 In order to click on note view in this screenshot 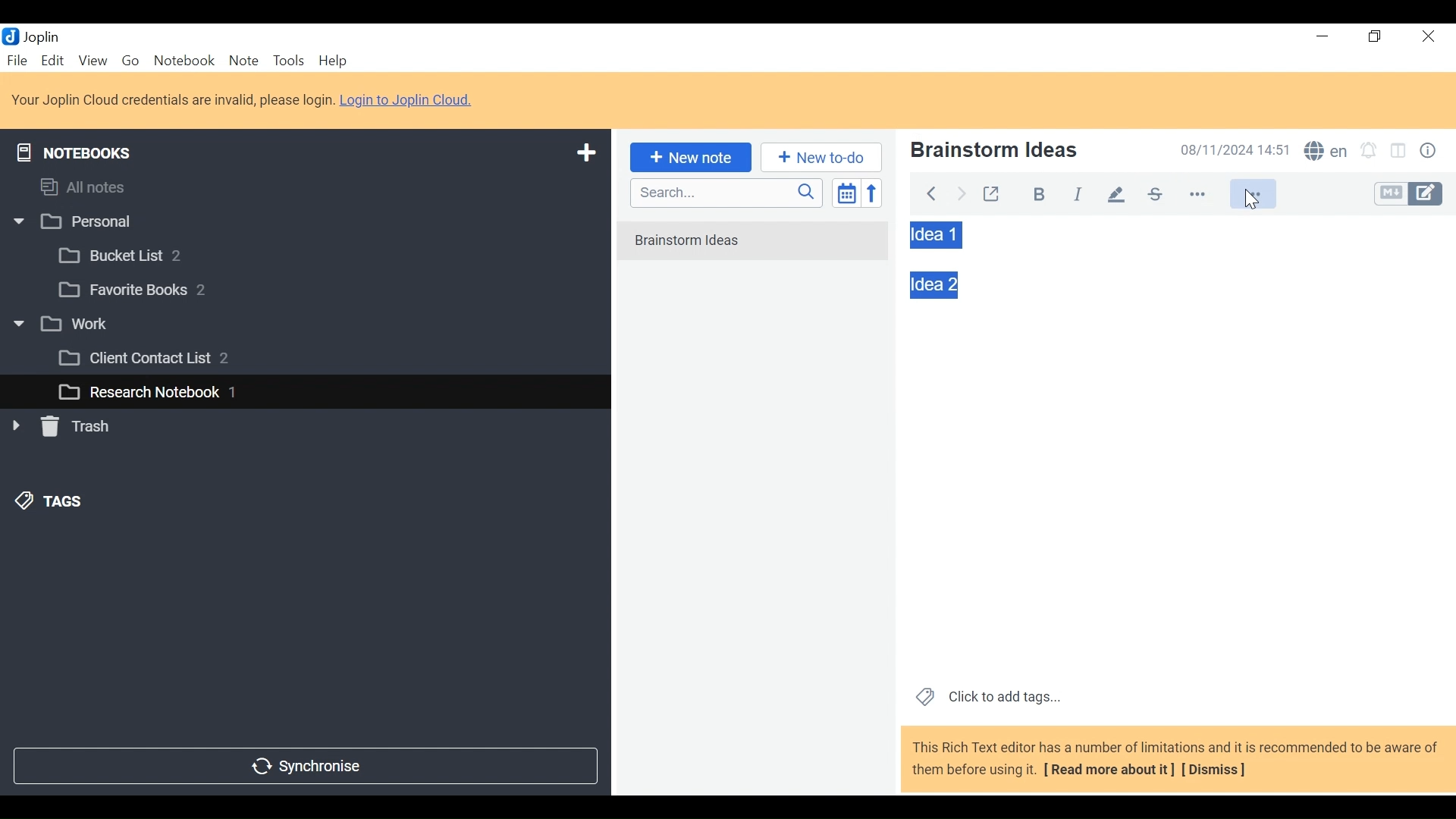, I will do `click(937, 234)`.